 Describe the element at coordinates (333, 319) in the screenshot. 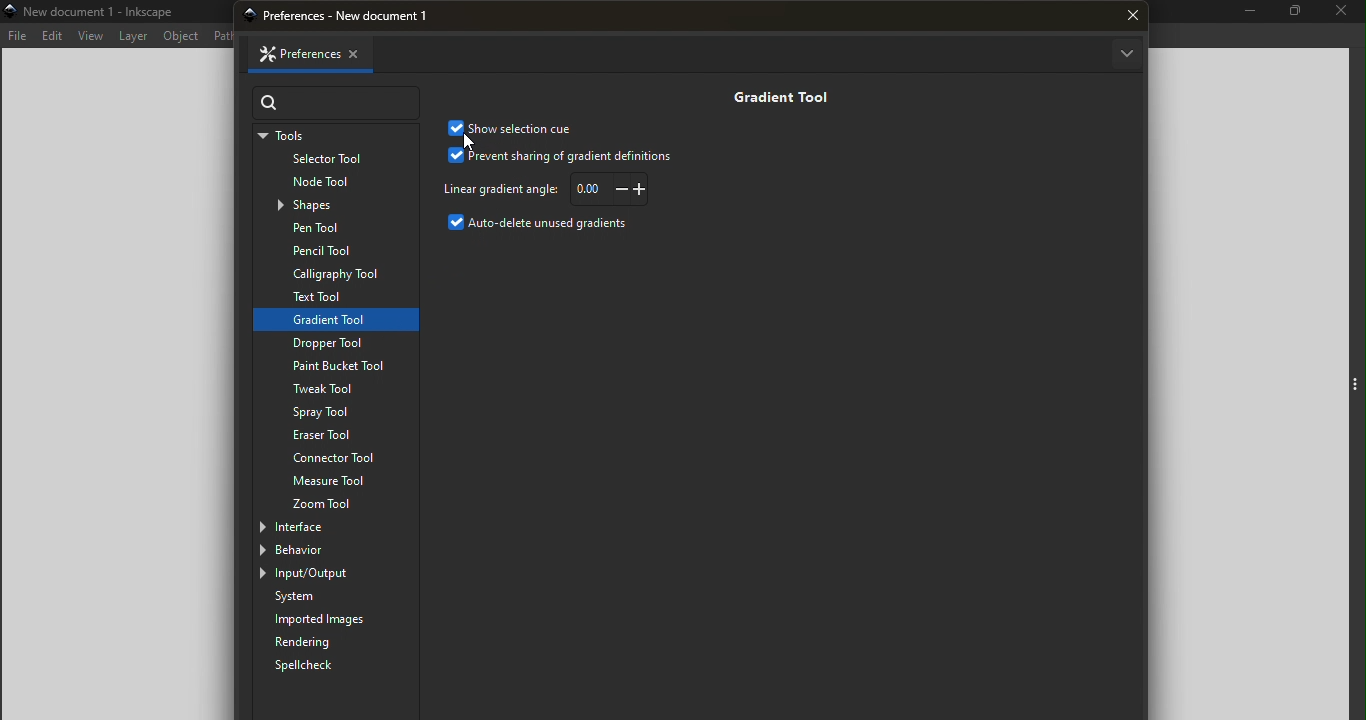

I see `gradient tool` at that location.